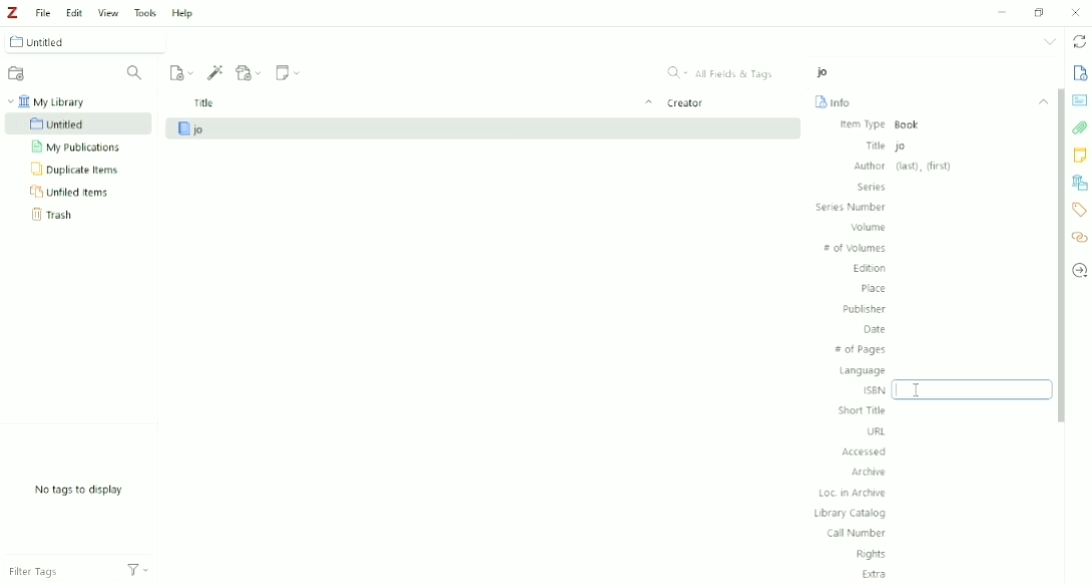 This screenshot has height=584, width=1092. What do you see at coordinates (870, 228) in the screenshot?
I see `Volume` at bounding box center [870, 228].